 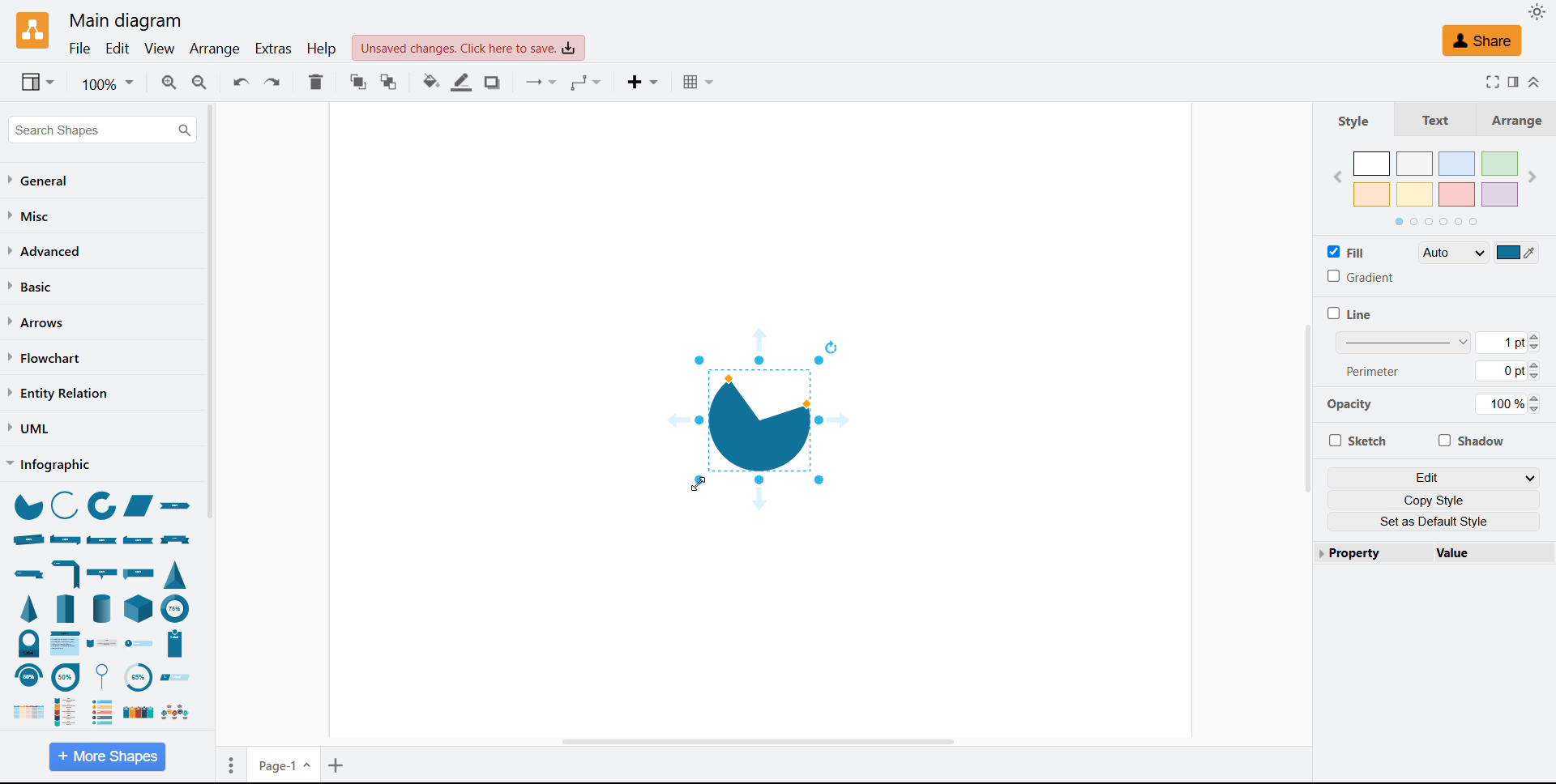 What do you see at coordinates (323, 48) in the screenshot?
I see `help ` at bounding box center [323, 48].